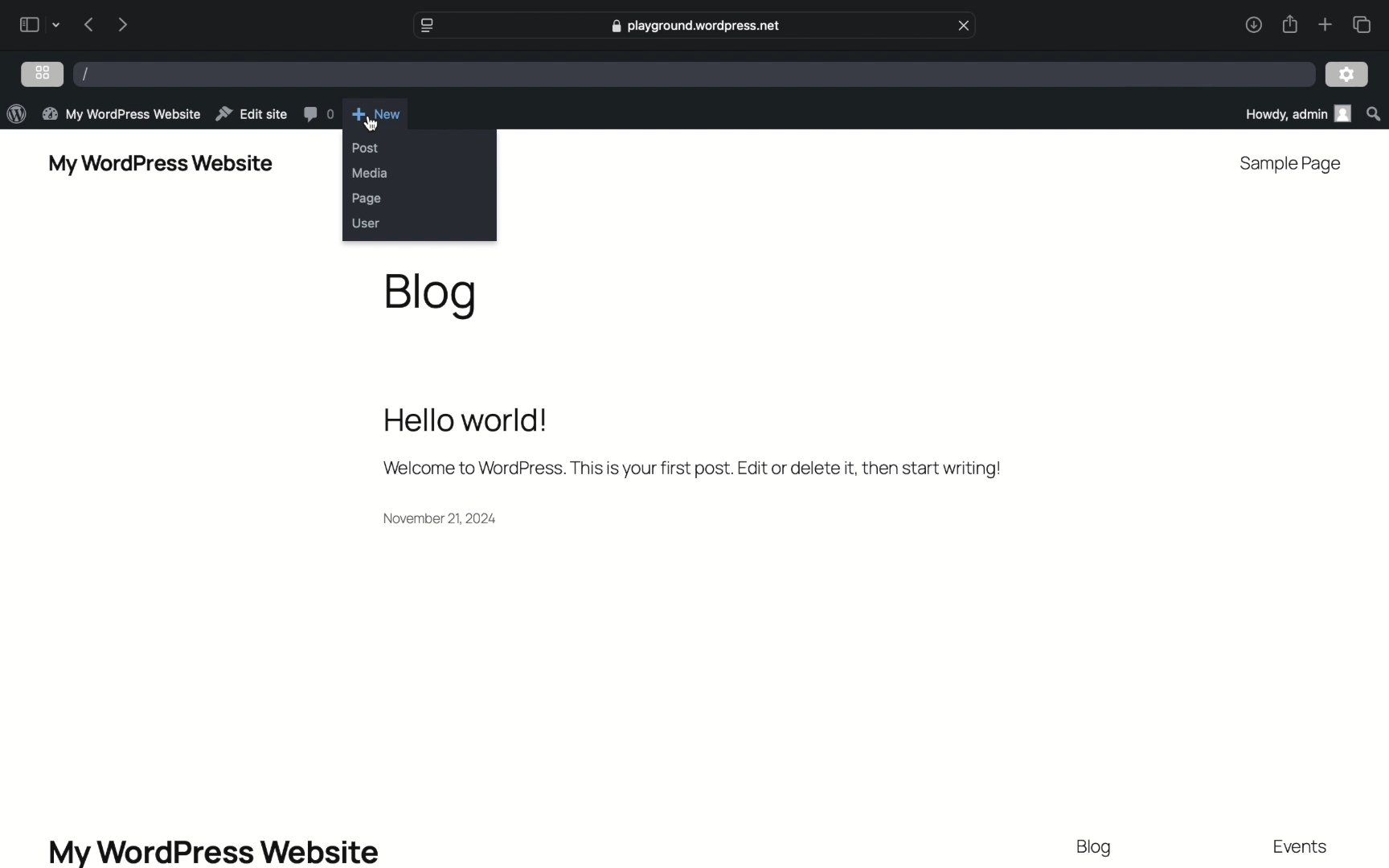 This screenshot has height=868, width=1389. I want to click on howdy, admin, so click(1293, 114).